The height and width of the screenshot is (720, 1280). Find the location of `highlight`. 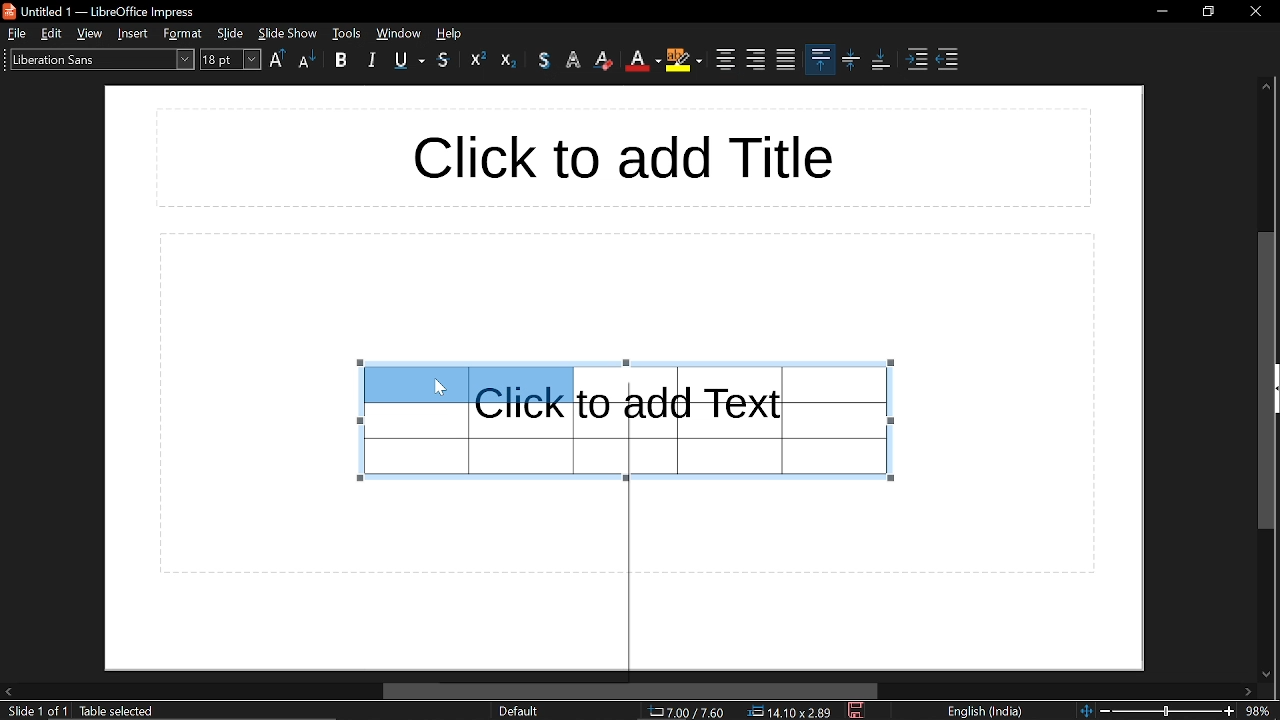

highlight is located at coordinates (683, 62).